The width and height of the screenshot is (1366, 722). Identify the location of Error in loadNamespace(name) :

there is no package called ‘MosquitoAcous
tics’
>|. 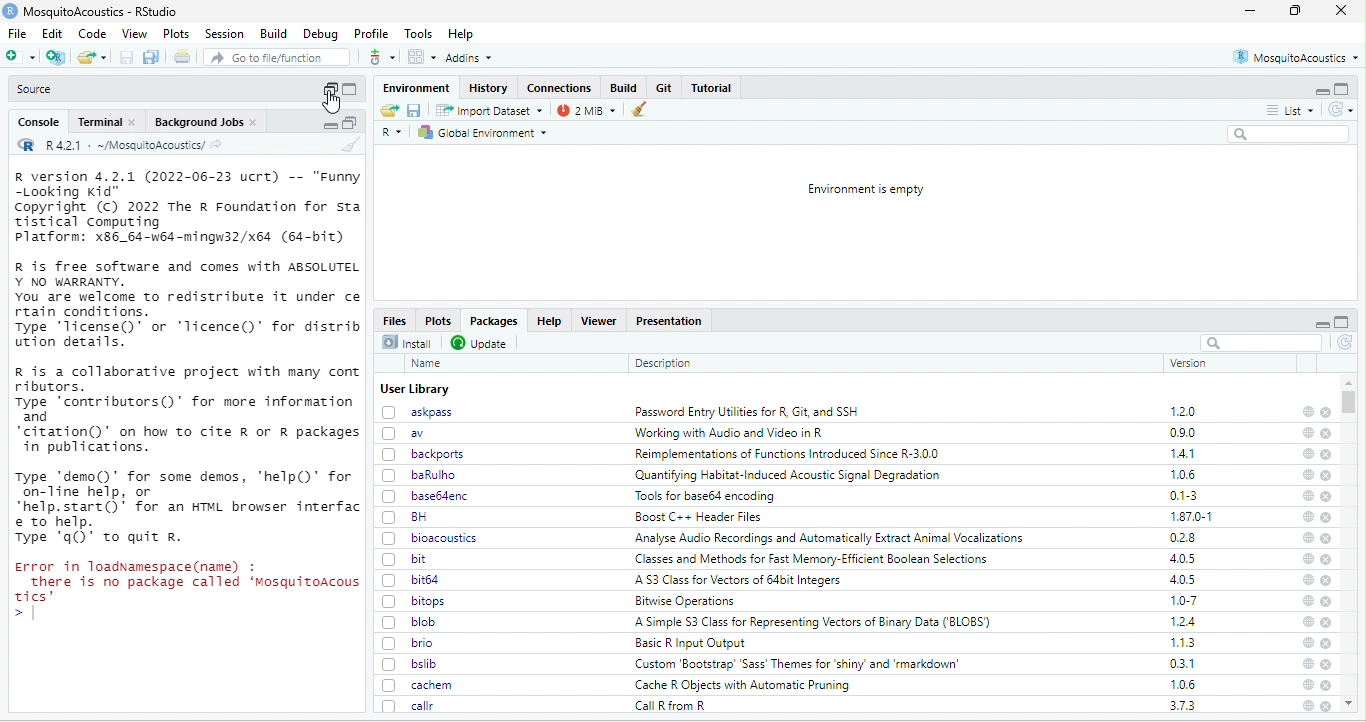
(187, 590).